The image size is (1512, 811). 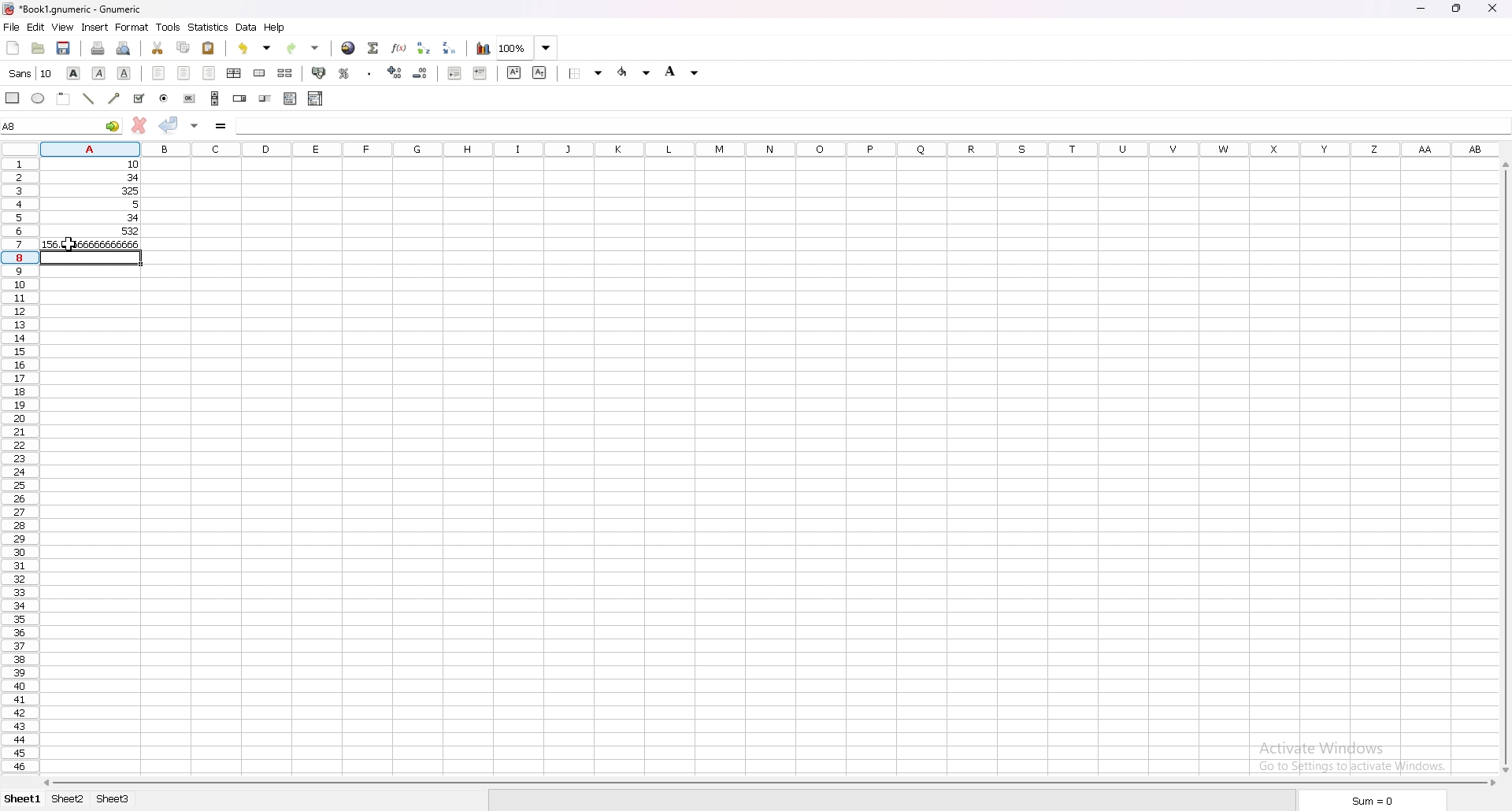 I want to click on zoom, so click(x=526, y=48).